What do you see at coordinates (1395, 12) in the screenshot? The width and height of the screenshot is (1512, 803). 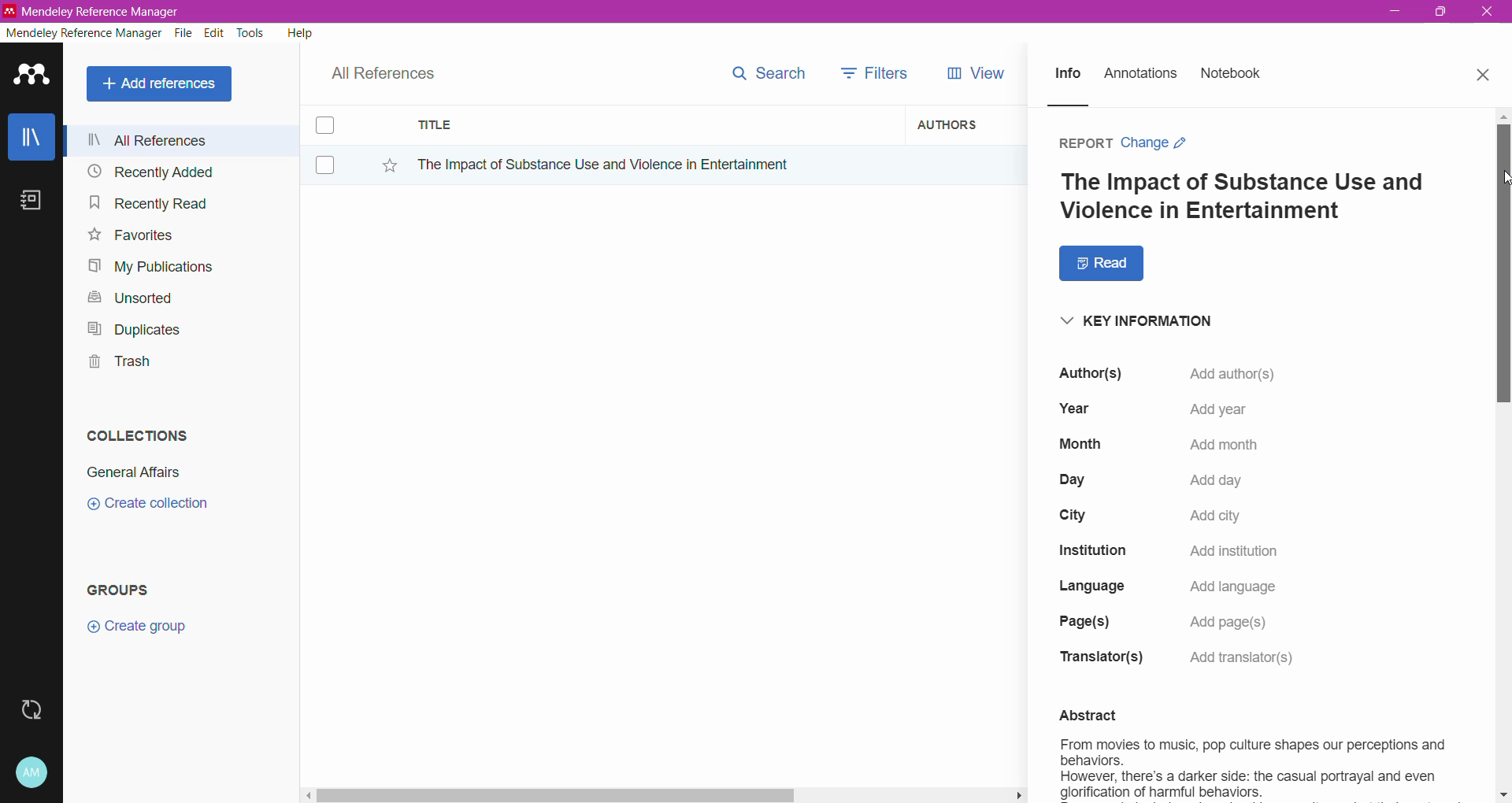 I see `Minimize` at bounding box center [1395, 12].